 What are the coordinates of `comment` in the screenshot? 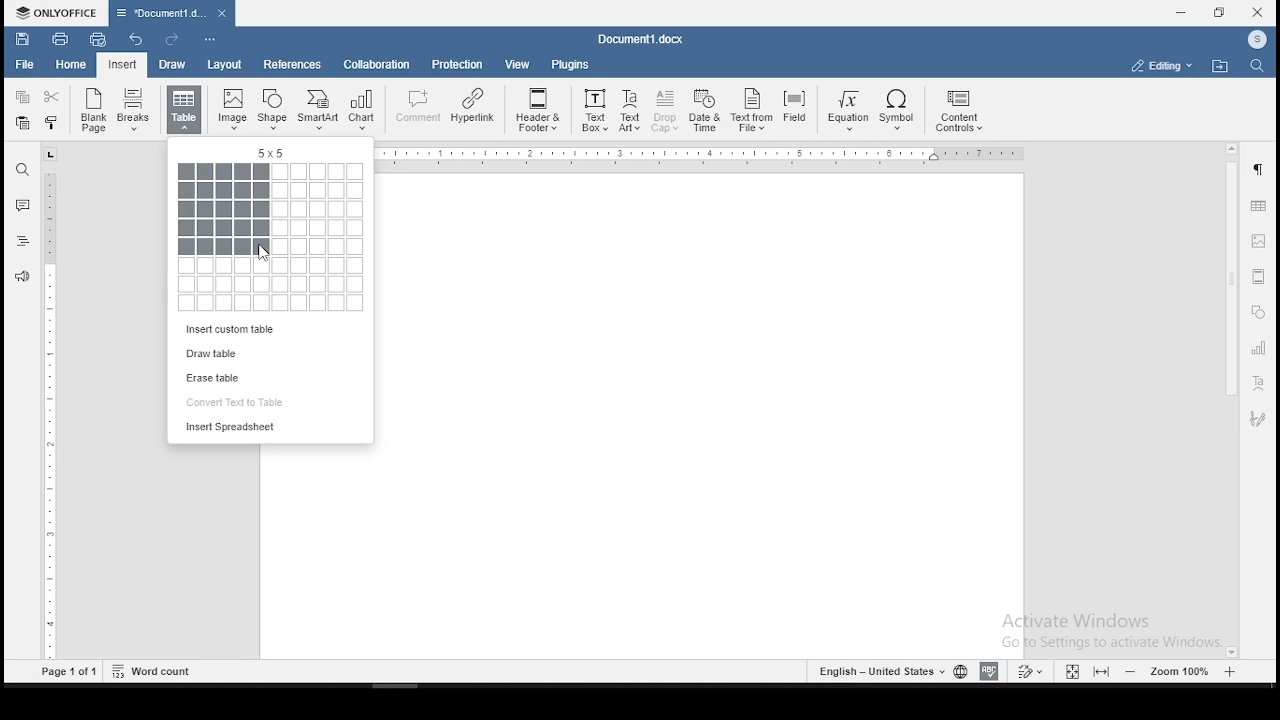 It's located at (22, 203).